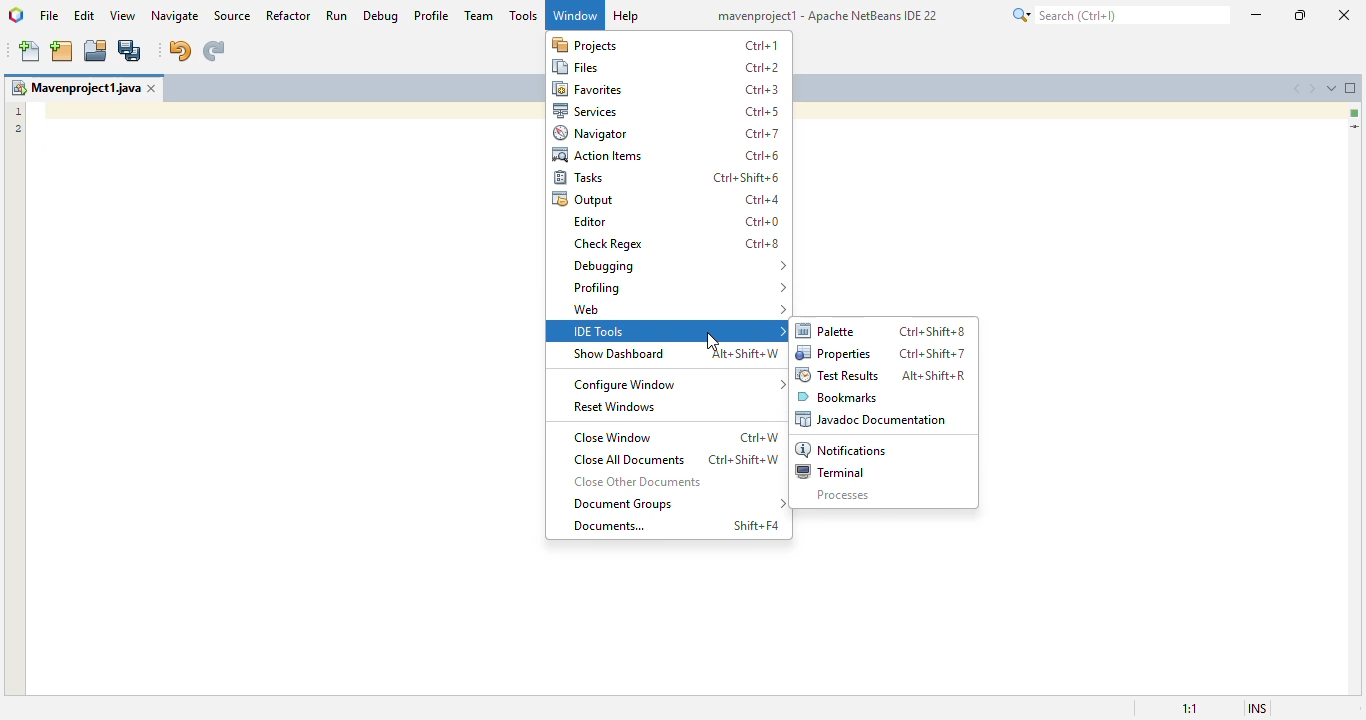  Describe the element at coordinates (755, 525) in the screenshot. I see `shortcut for documents` at that location.